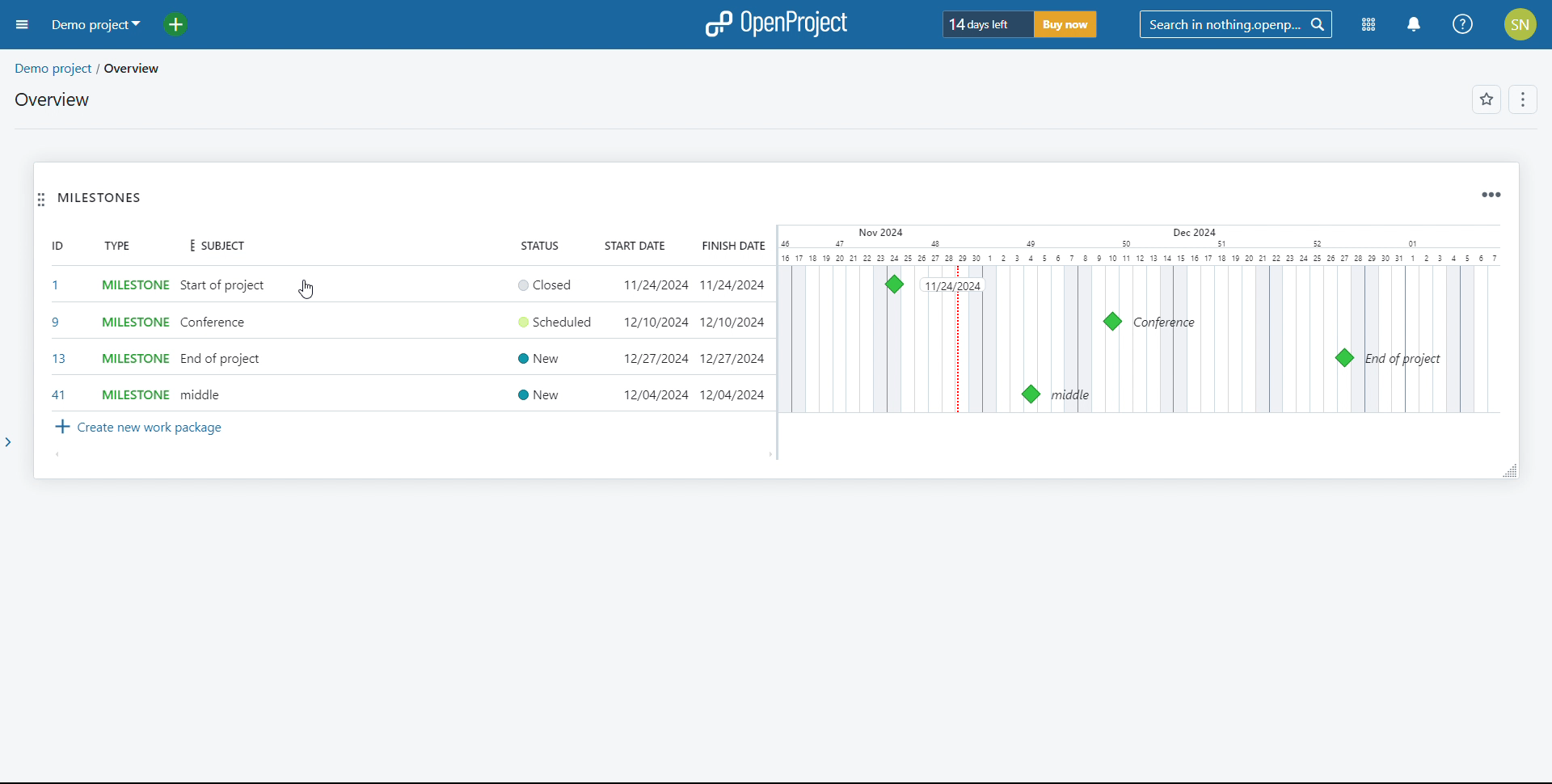 The width and height of the screenshot is (1552, 784). I want to click on demo project/, so click(52, 65).